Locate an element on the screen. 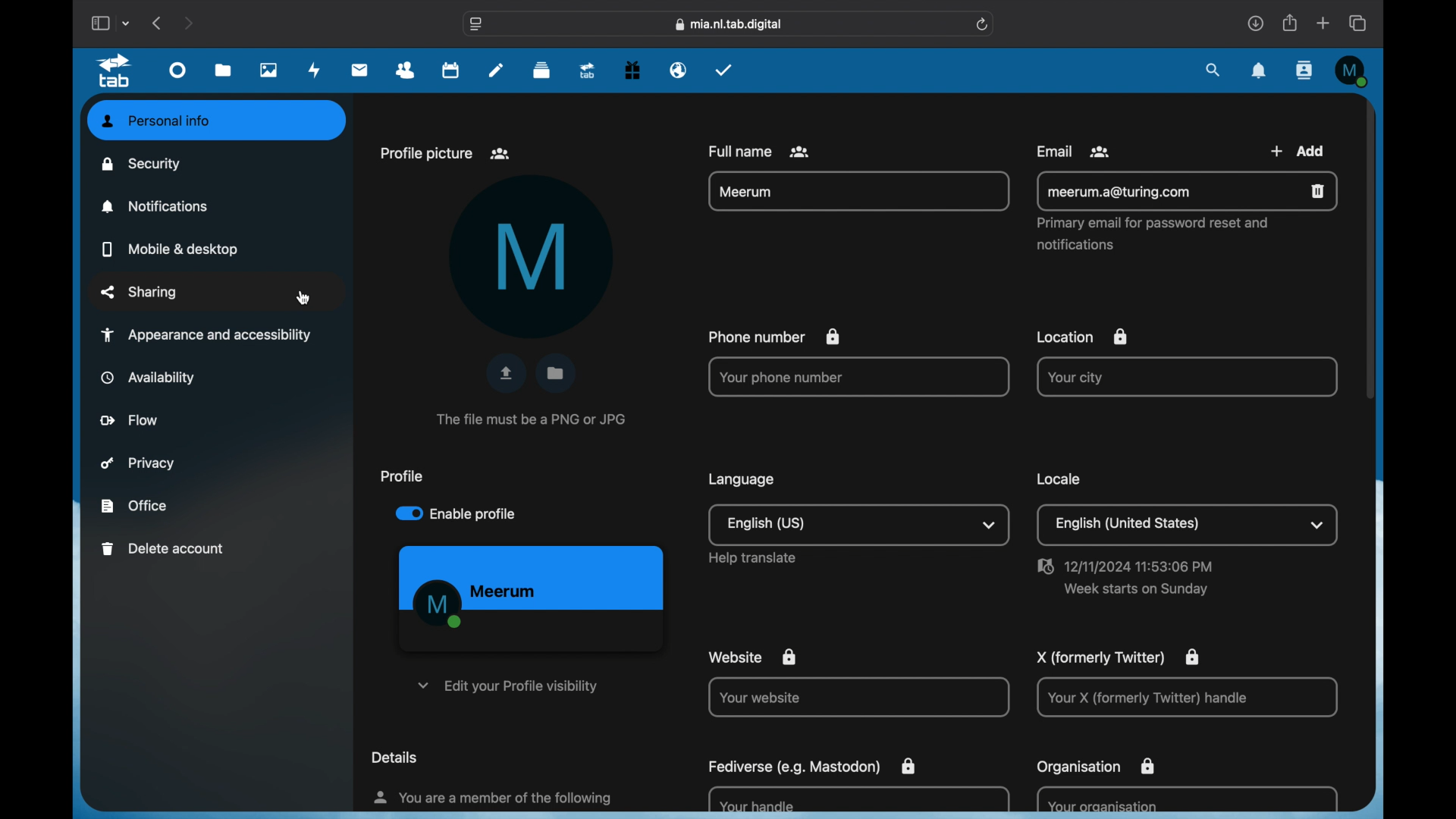 This screenshot has height=819, width=1456. Location is located at coordinates (1188, 526).